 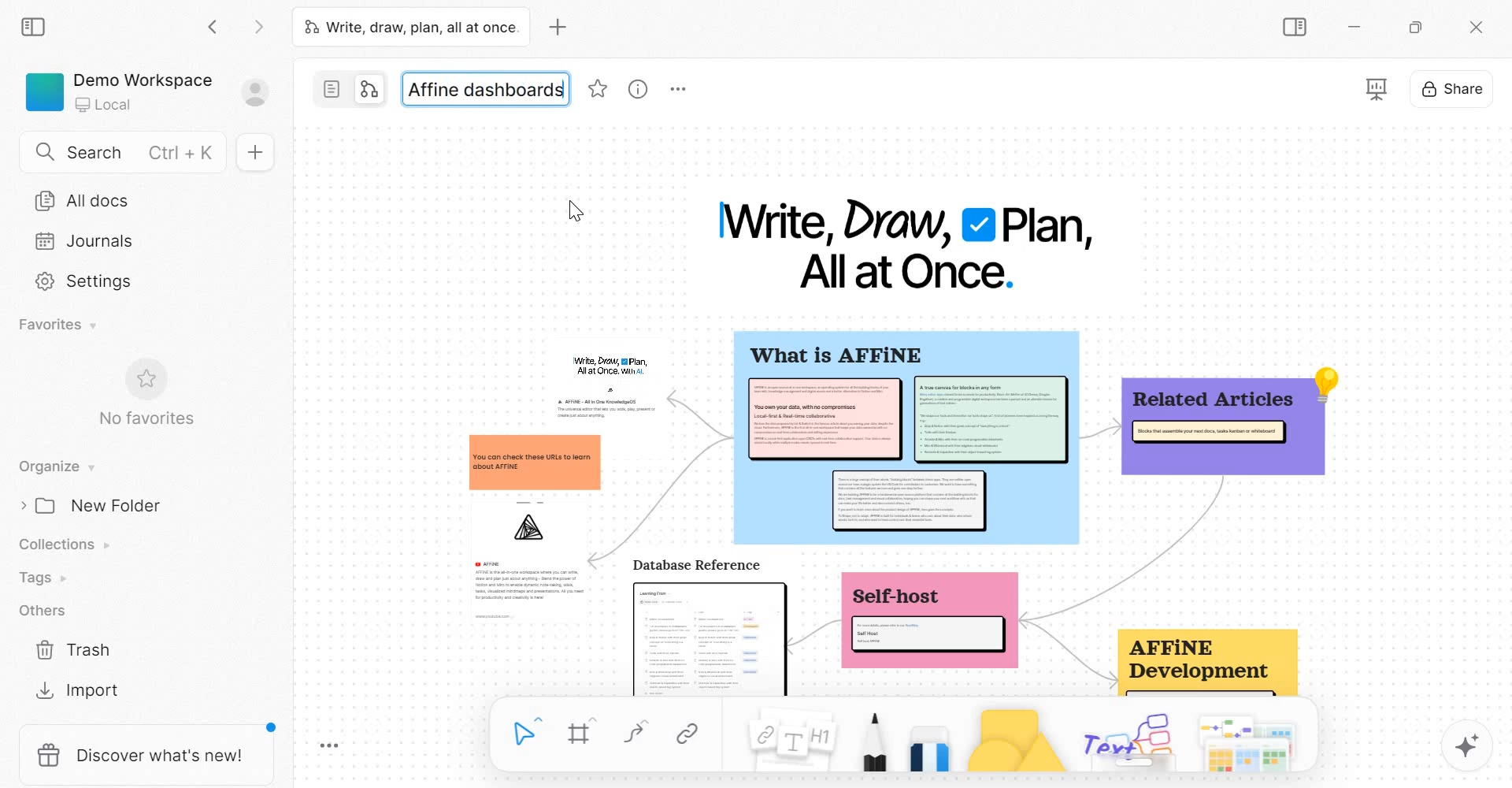 I want to click on Others, so click(x=41, y=611).